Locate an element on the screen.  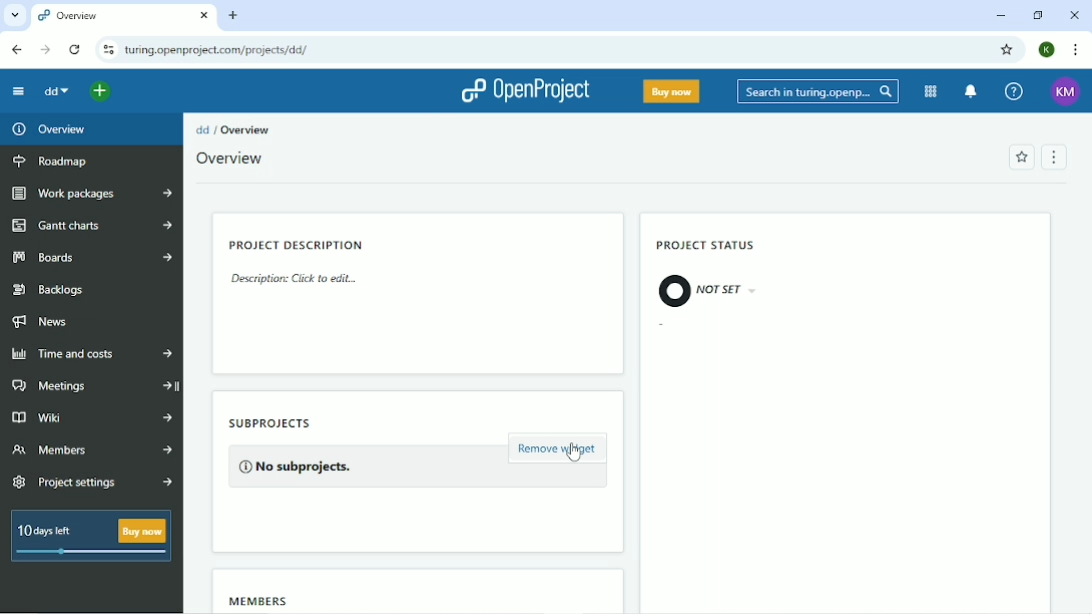
Close is located at coordinates (1076, 14).